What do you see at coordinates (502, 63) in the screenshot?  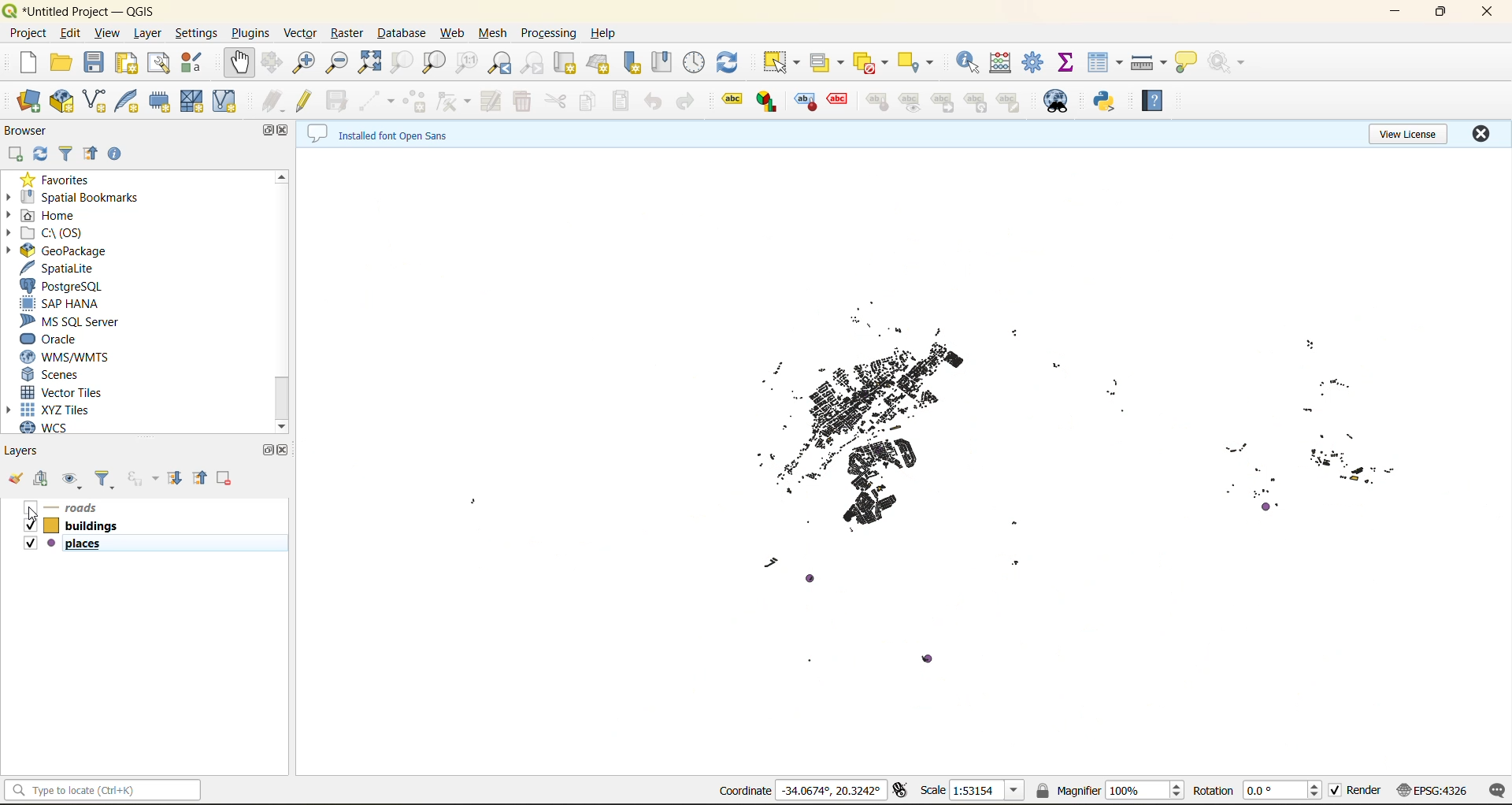 I see `zoom last` at bounding box center [502, 63].